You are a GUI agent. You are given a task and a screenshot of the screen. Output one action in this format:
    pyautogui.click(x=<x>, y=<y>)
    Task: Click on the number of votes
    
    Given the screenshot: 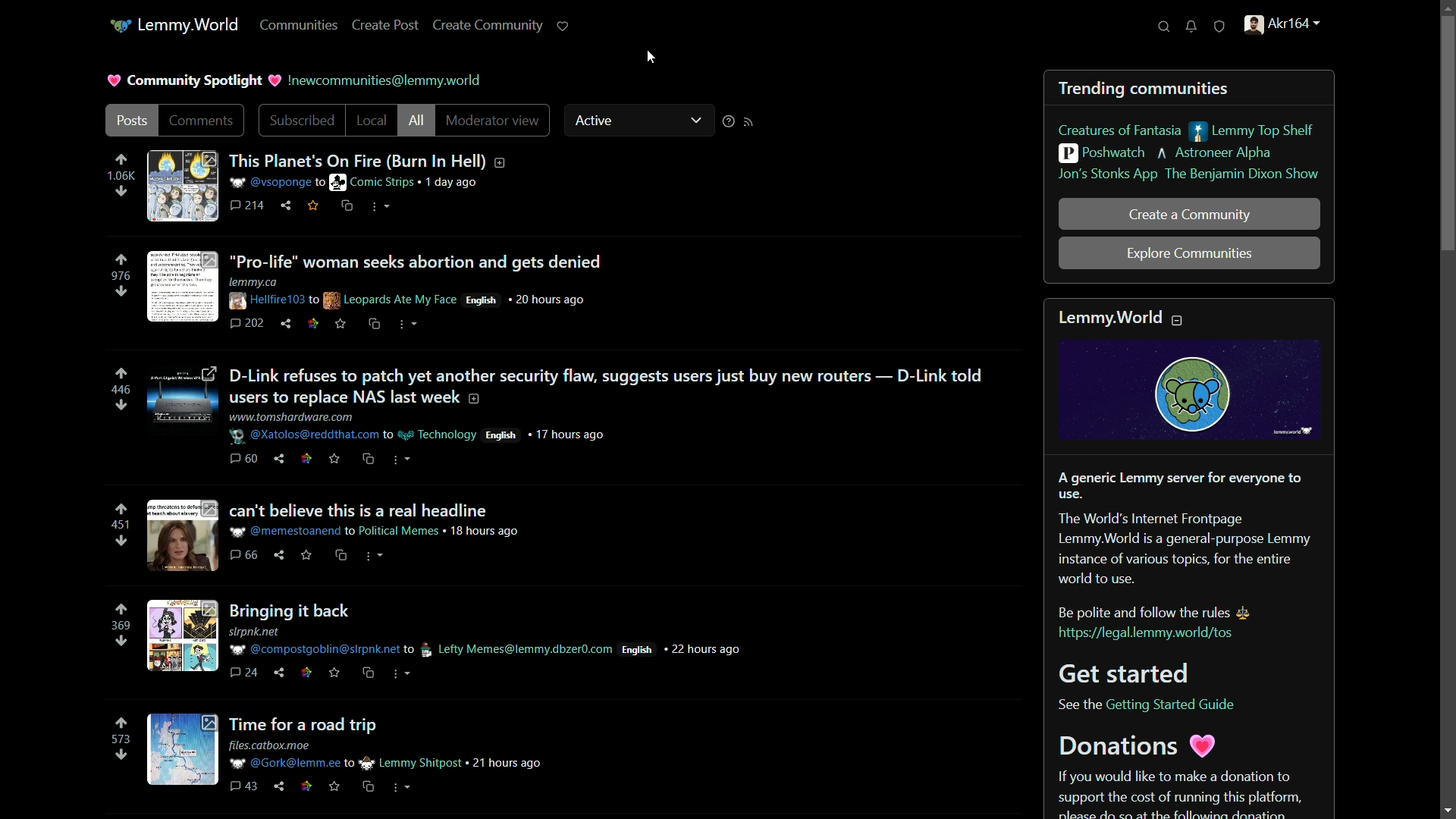 What is the action you would take?
    pyautogui.click(x=121, y=277)
    